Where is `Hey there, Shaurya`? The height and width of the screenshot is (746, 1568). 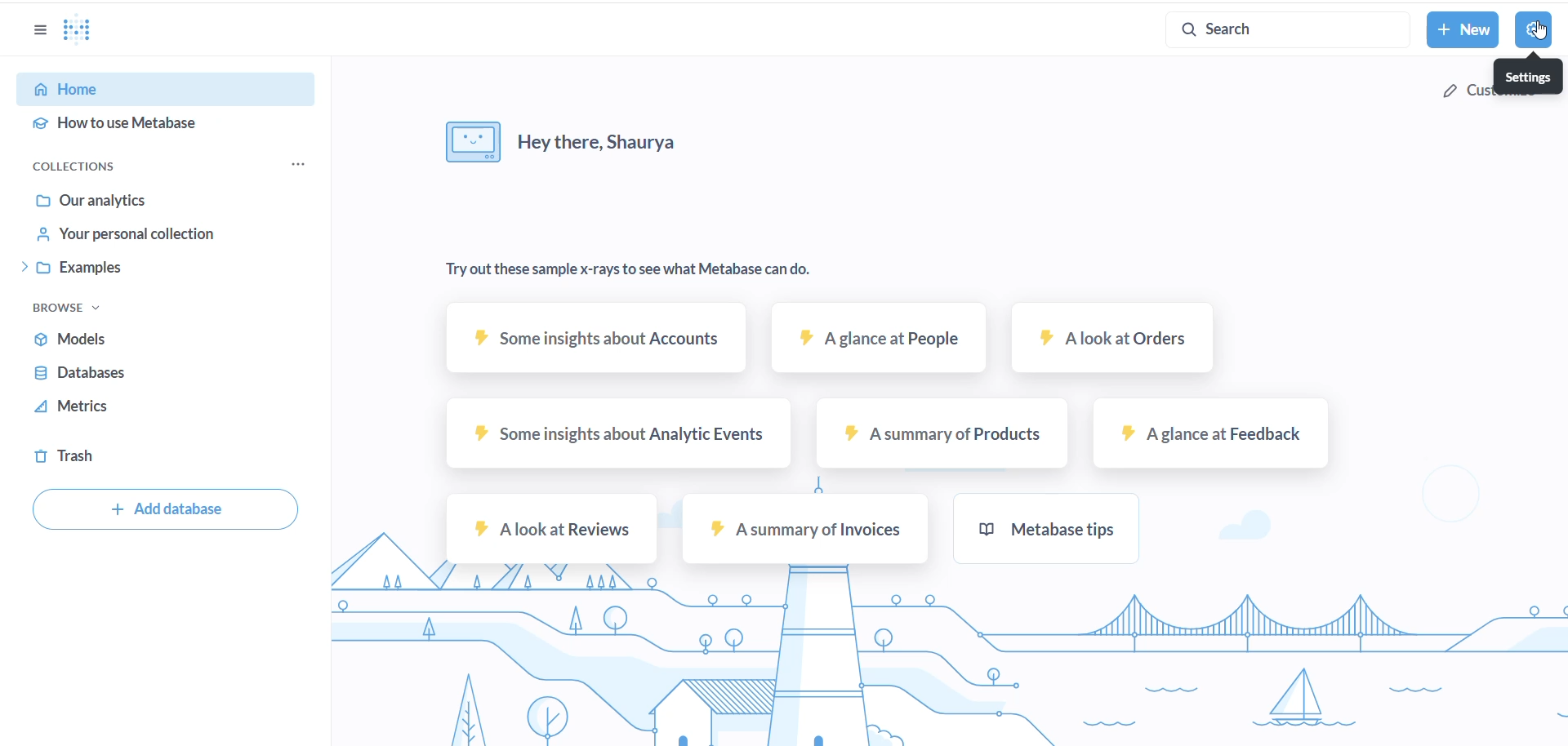
Hey there, Shaurya is located at coordinates (561, 143).